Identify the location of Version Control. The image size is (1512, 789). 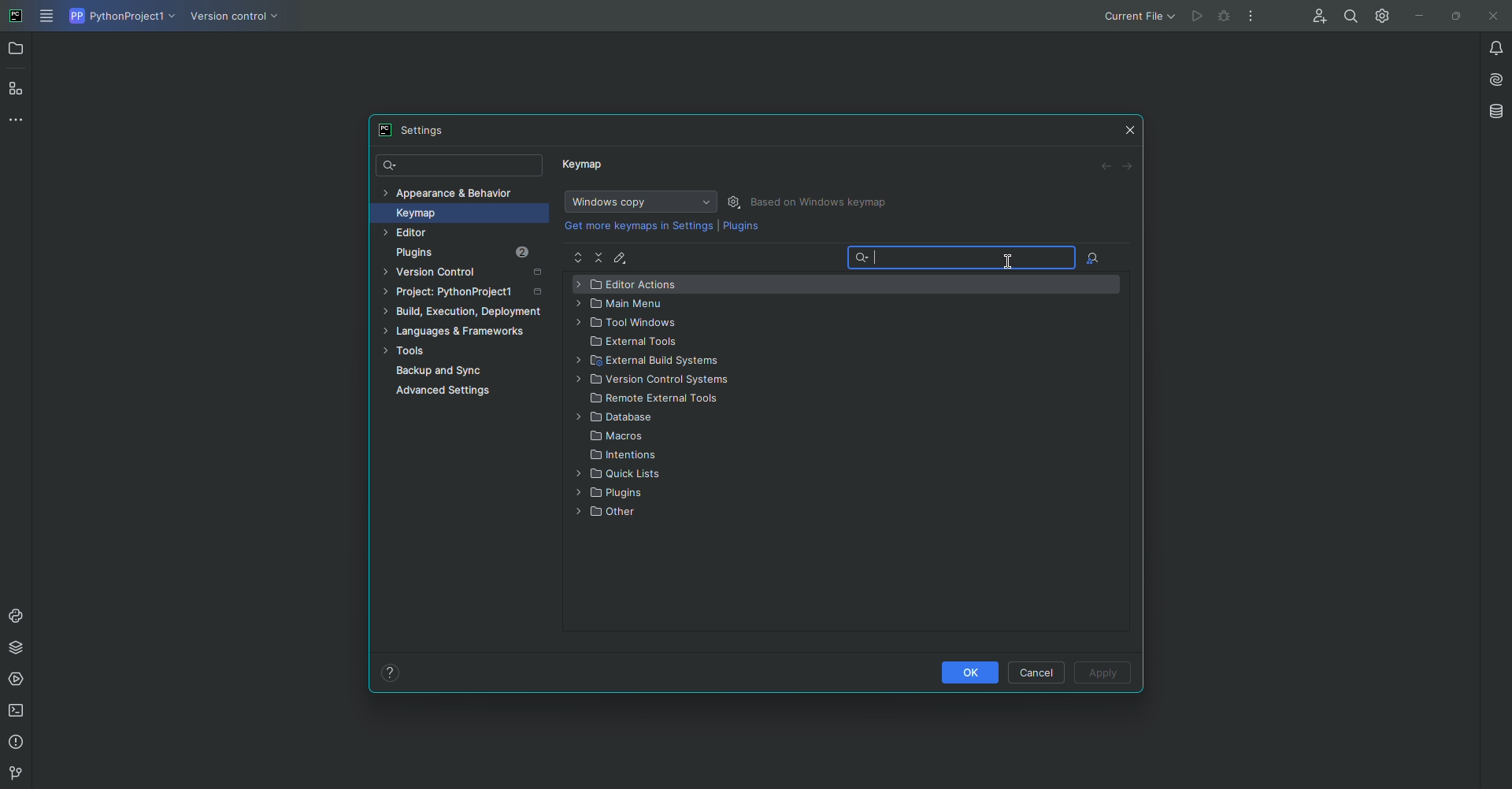
(658, 382).